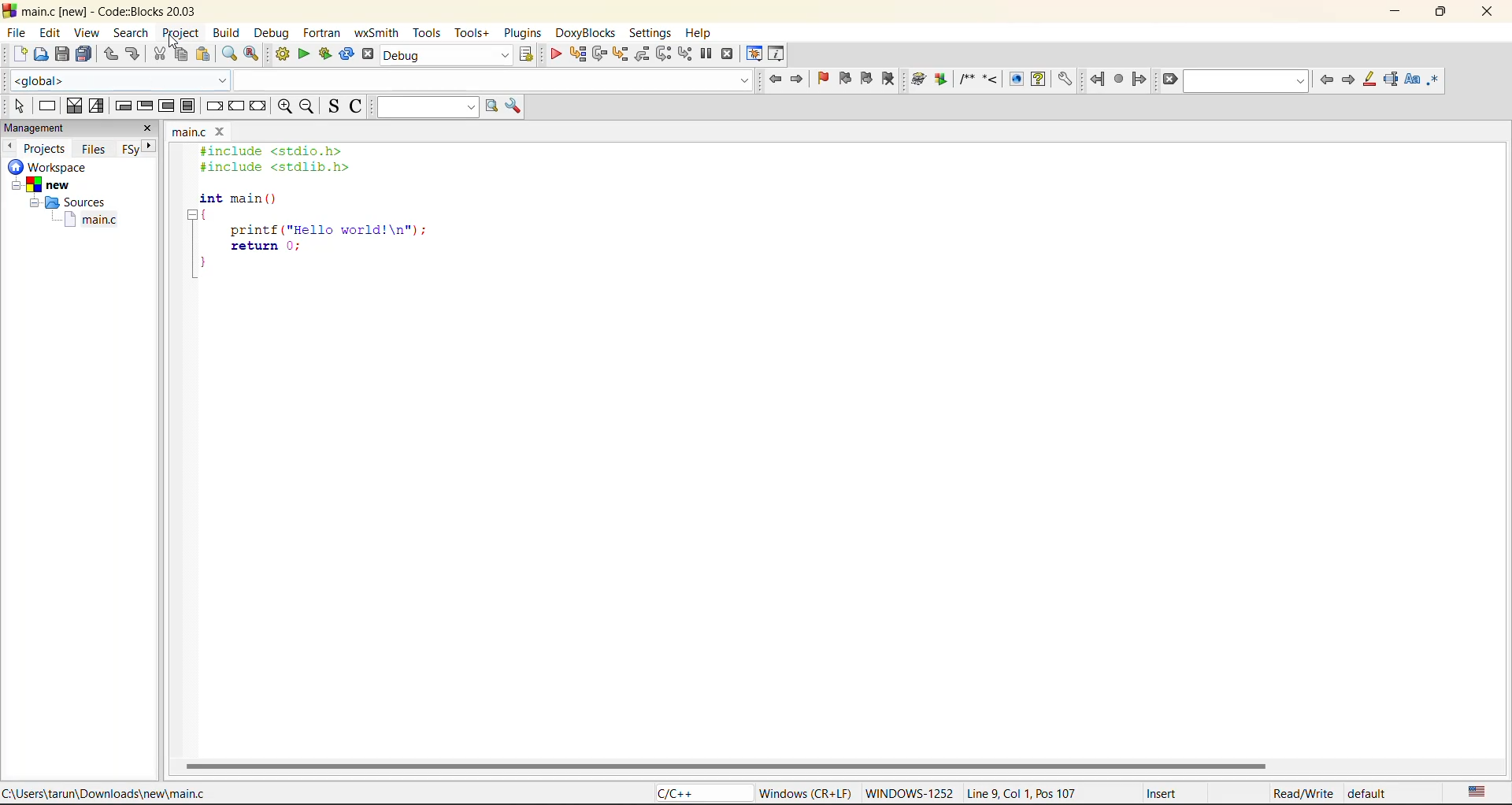 This screenshot has width=1512, height=805. I want to click on Line 9, Col 1, Pos 107, so click(1044, 792).